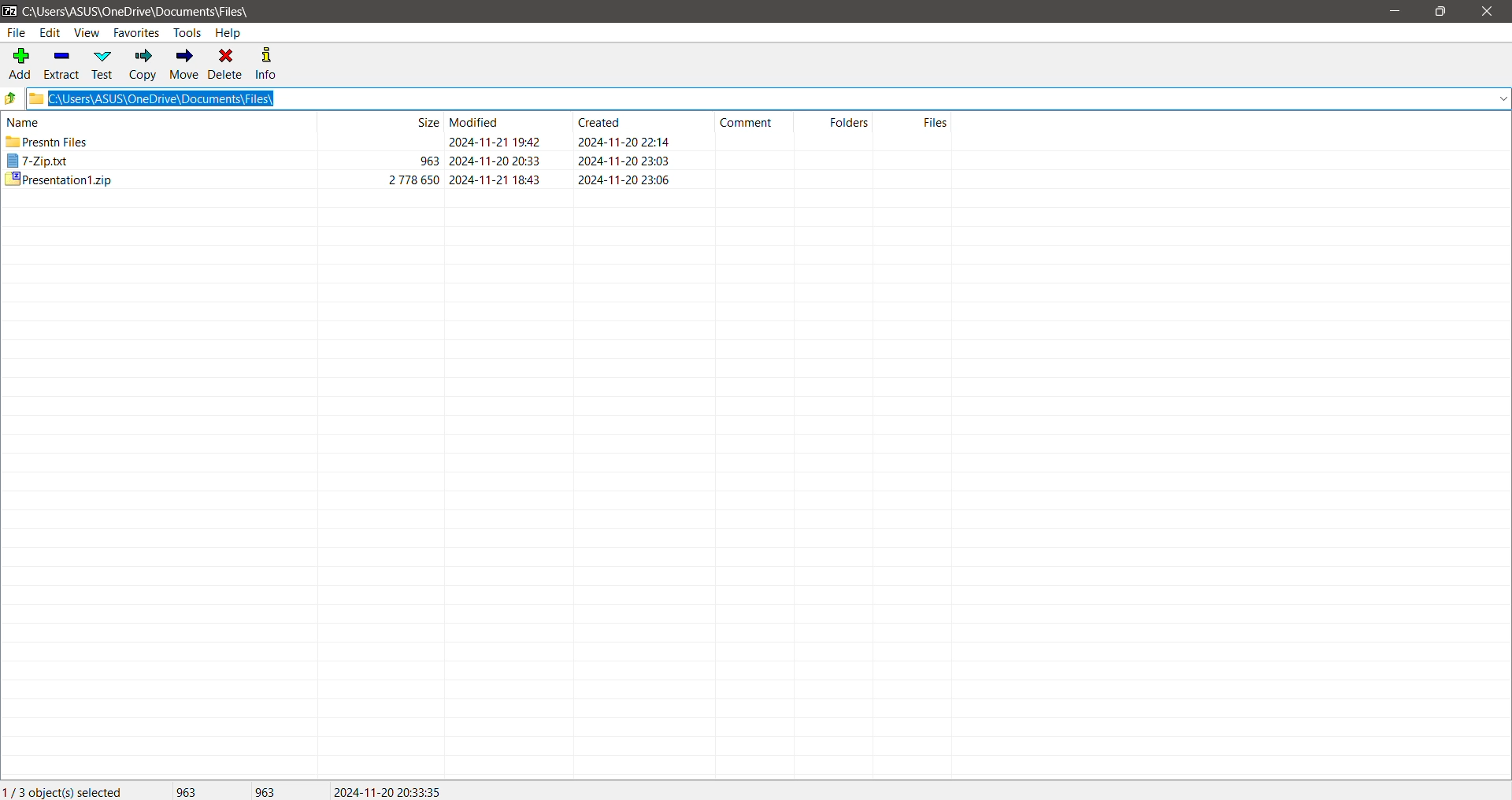 This screenshot has width=1512, height=800. What do you see at coordinates (47, 141) in the screenshot?
I see `presntn files` at bounding box center [47, 141].